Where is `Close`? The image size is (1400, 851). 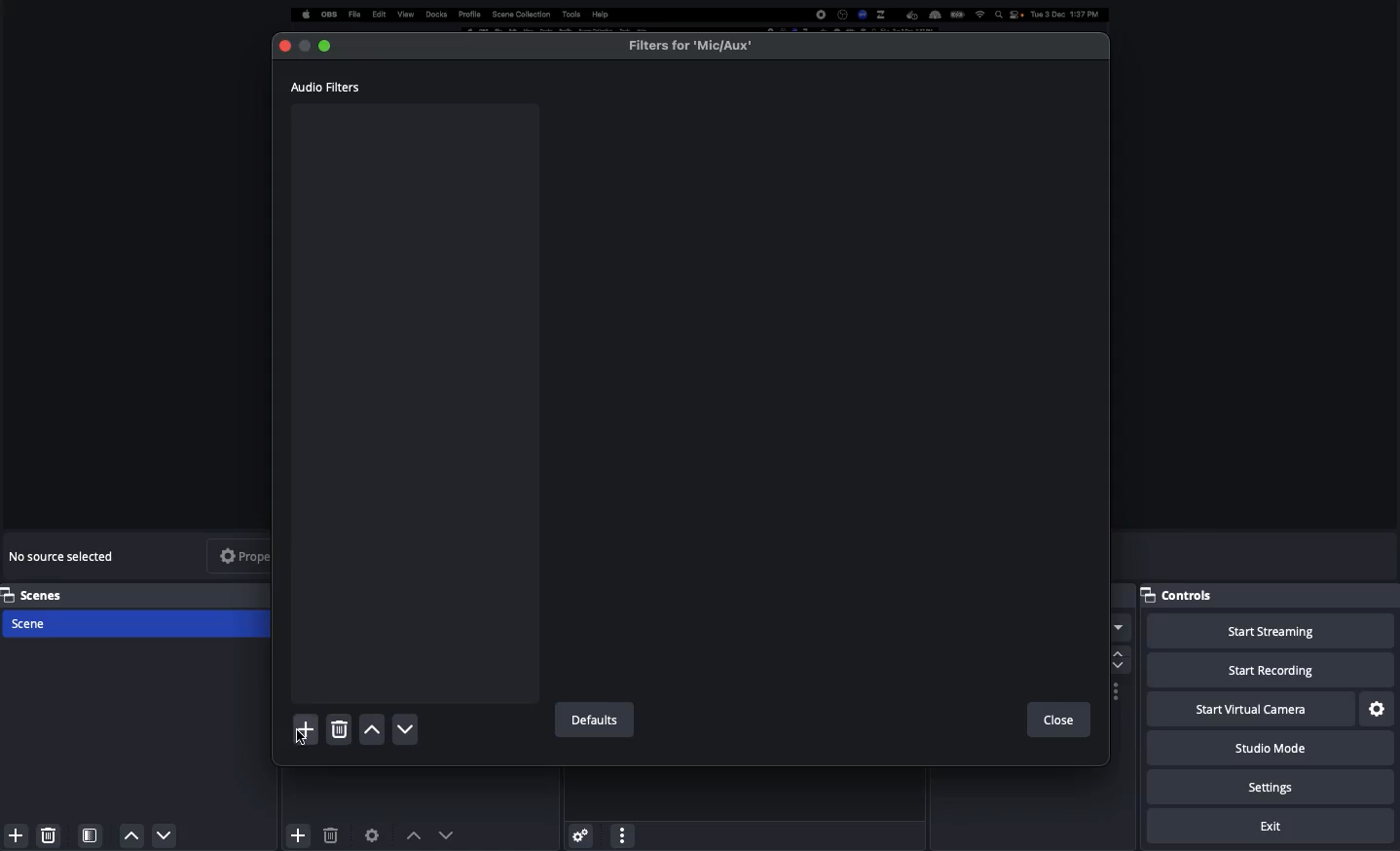
Close is located at coordinates (1057, 721).